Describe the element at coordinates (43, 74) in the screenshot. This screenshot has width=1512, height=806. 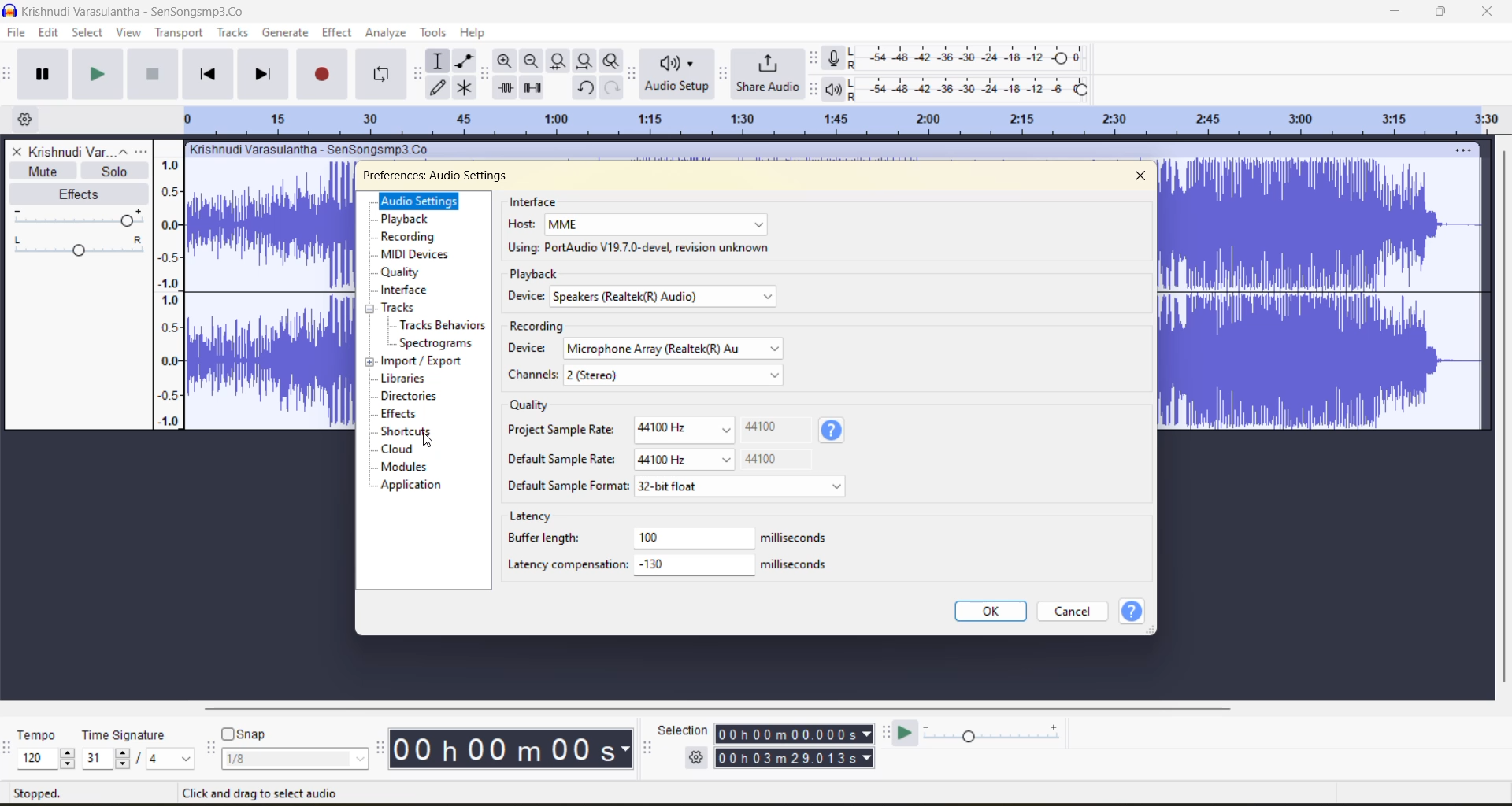
I see `pause` at that location.